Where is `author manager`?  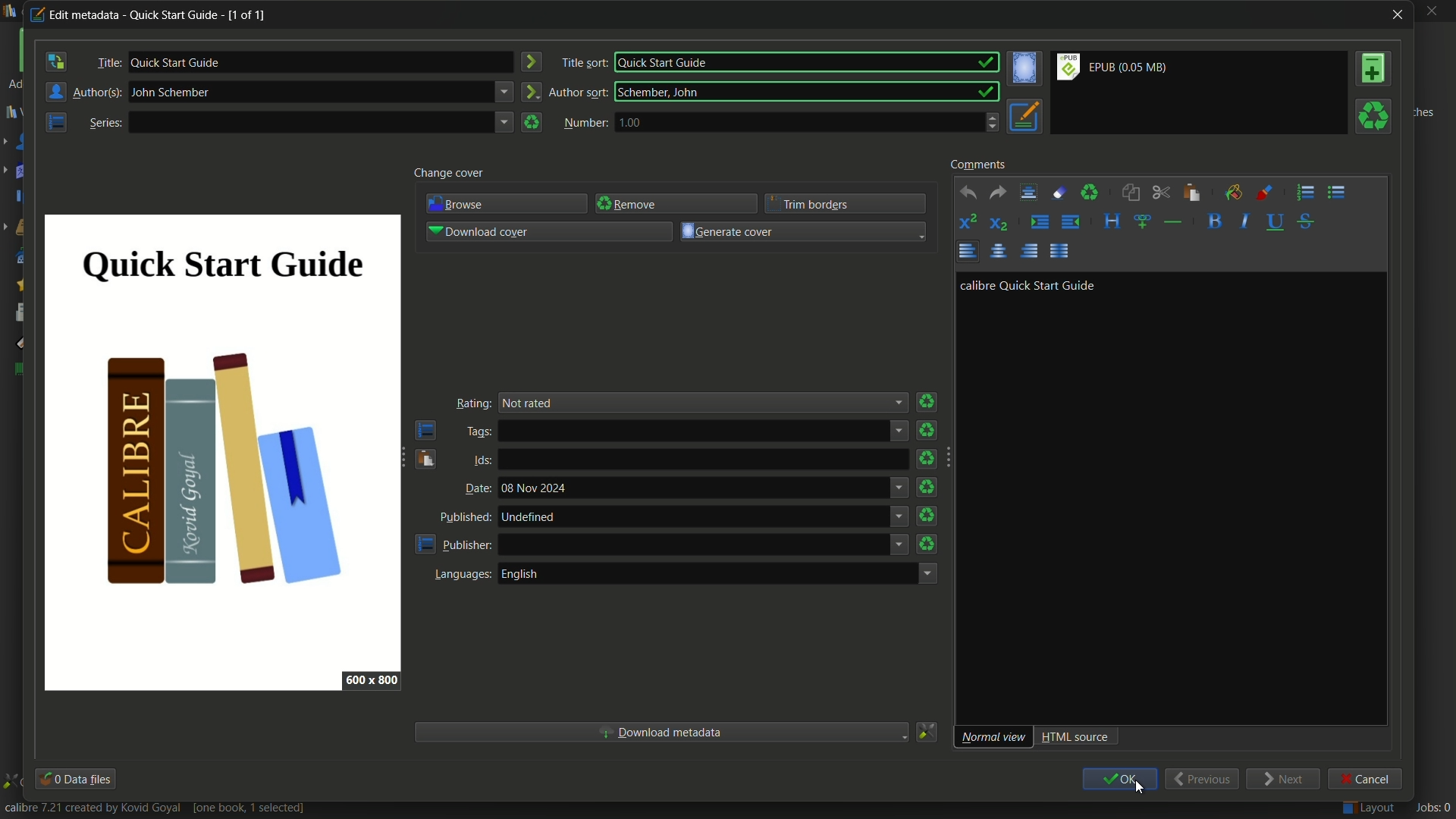
author manager is located at coordinates (56, 93).